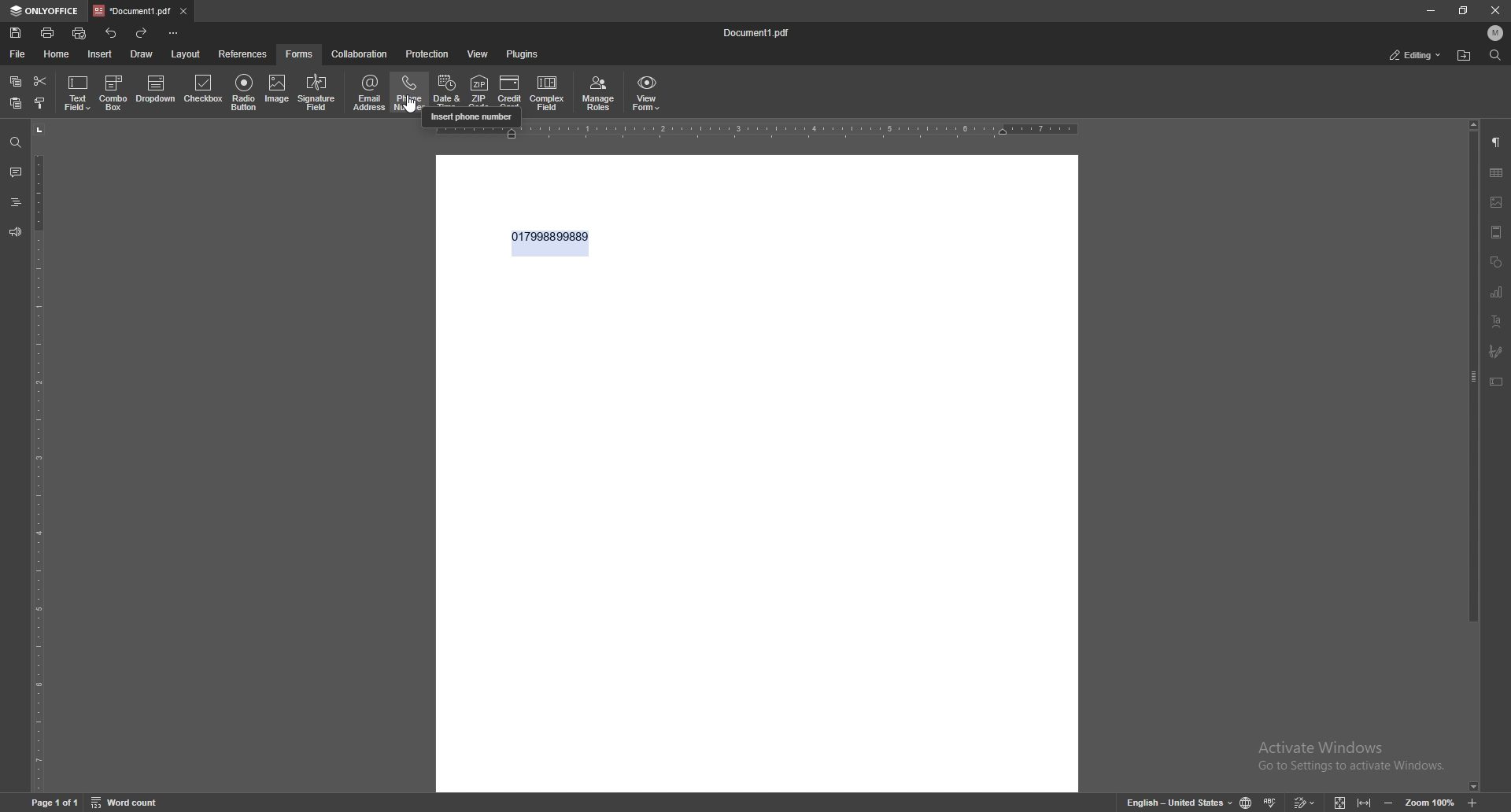  What do you see at coordinates (471, 118) in the screenshot?
I see `cursor description` at bounding box center [471, 118].